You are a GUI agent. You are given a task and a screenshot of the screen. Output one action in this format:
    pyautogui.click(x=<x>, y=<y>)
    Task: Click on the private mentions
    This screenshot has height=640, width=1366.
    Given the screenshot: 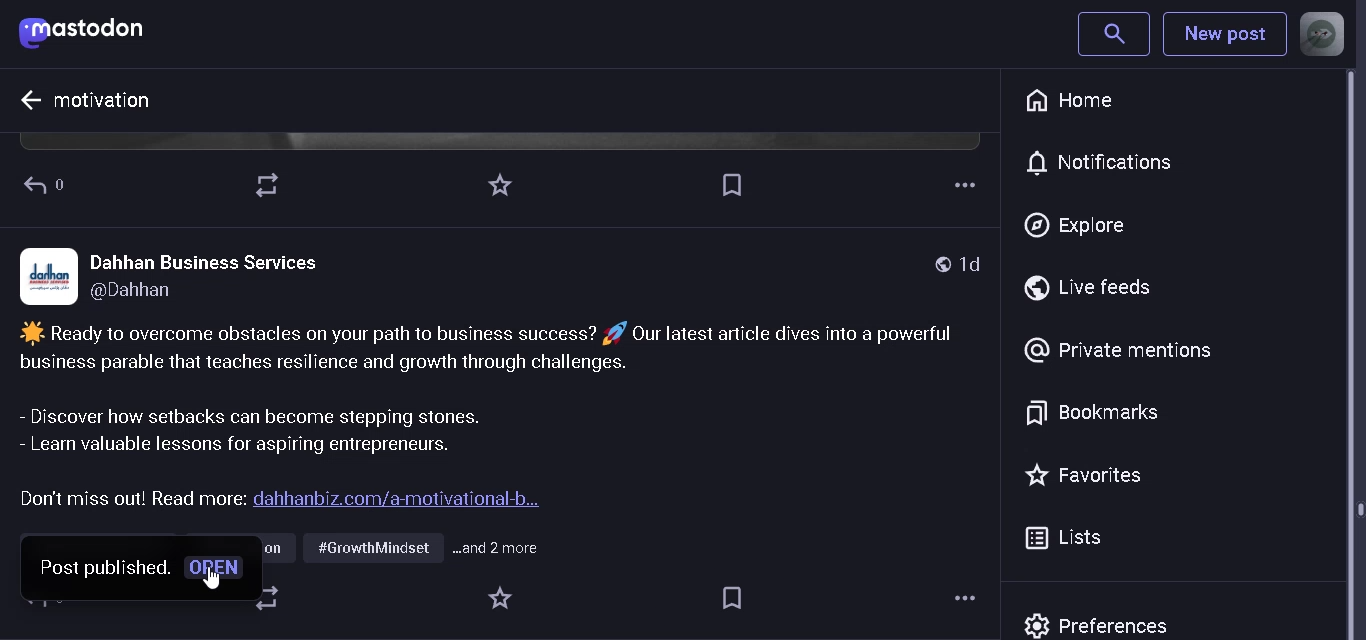 What is the action you would take?
    pyautogui.click(x=1117, y=349)
    